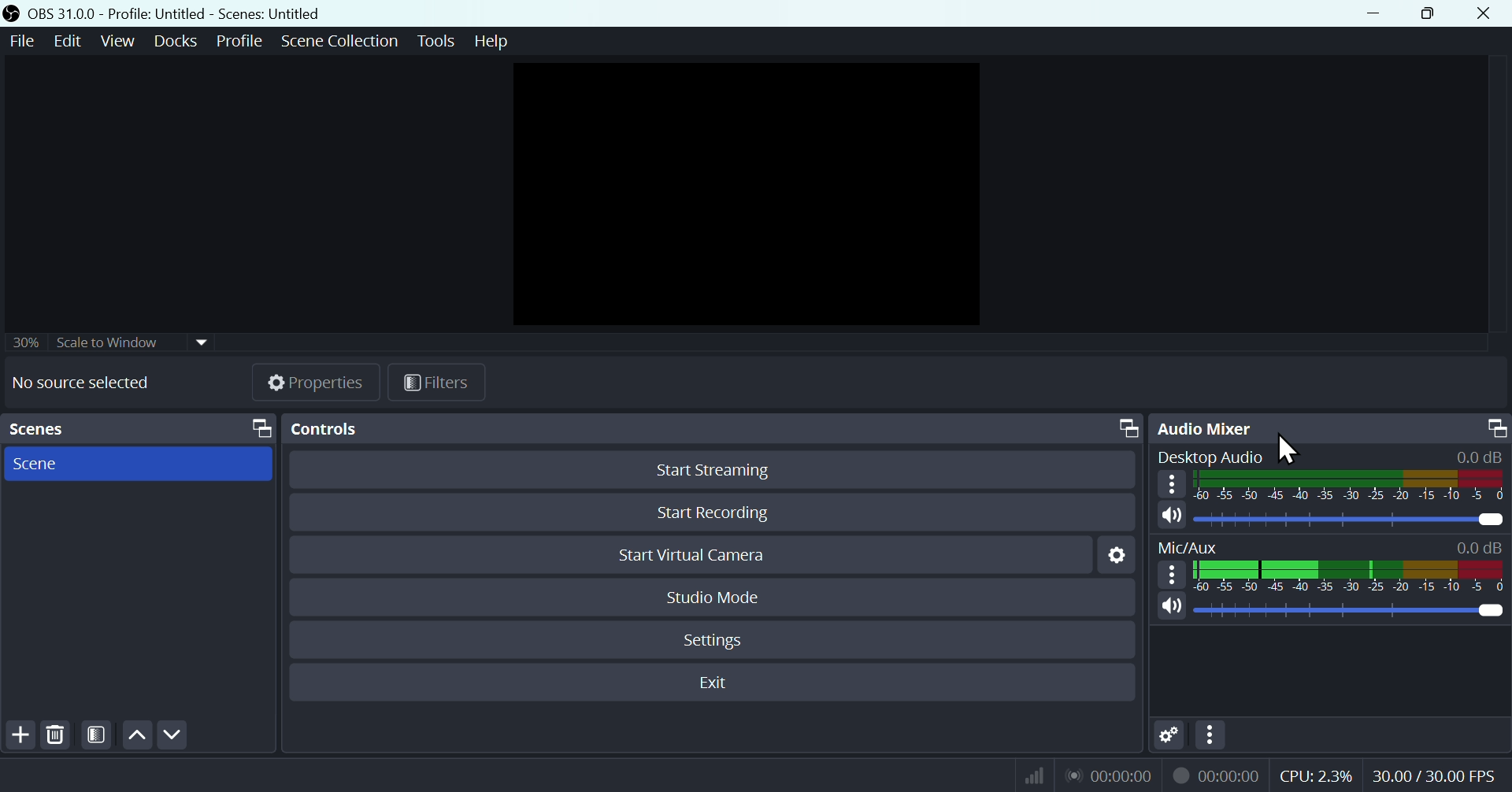 This screenshot has height=792, width=1512. I want to click on Tools, so click(438, 40).